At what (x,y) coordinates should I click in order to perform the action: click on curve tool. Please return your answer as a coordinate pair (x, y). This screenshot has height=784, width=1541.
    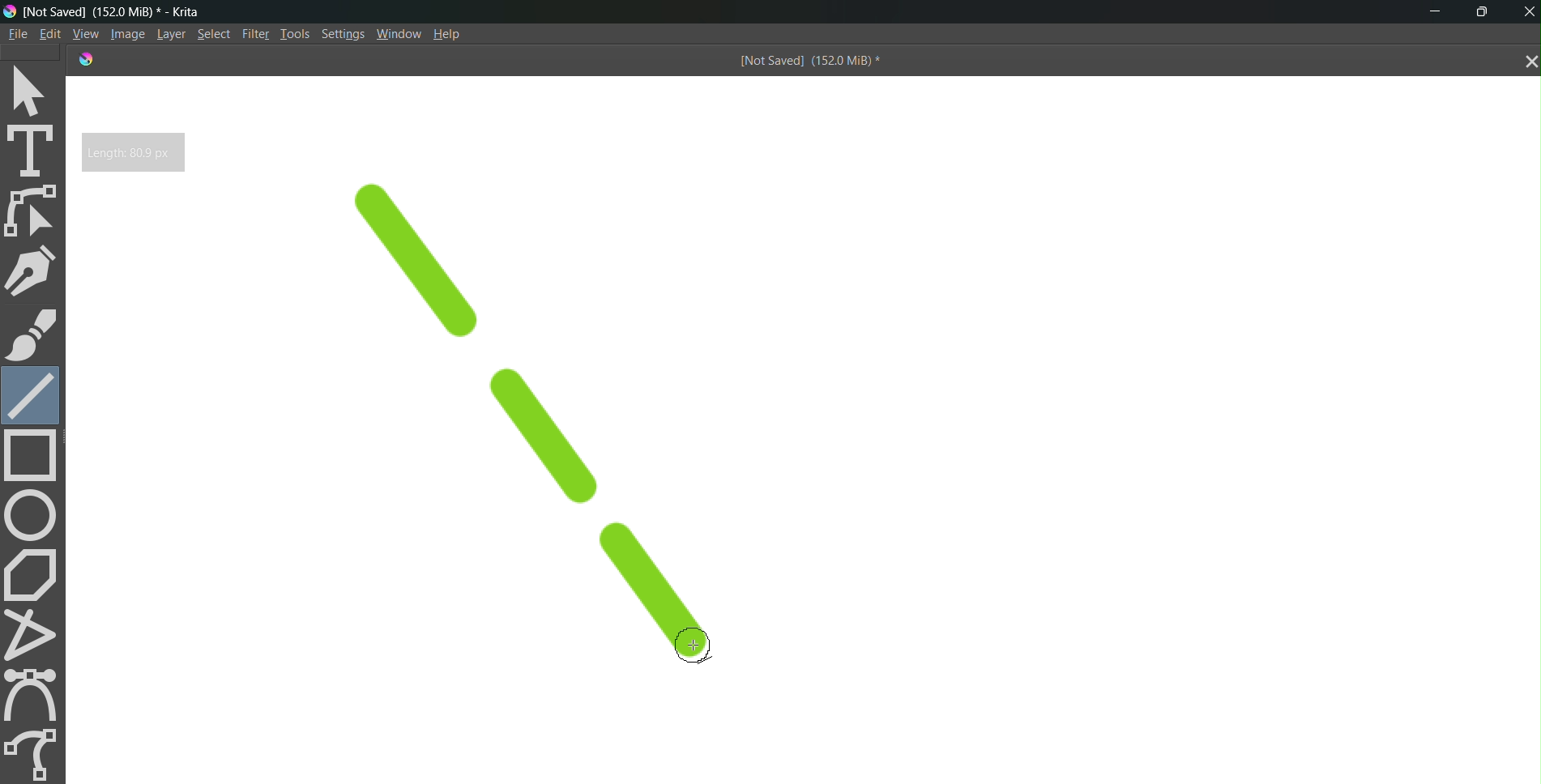
    Looking at the image, I should click on (36, 694).